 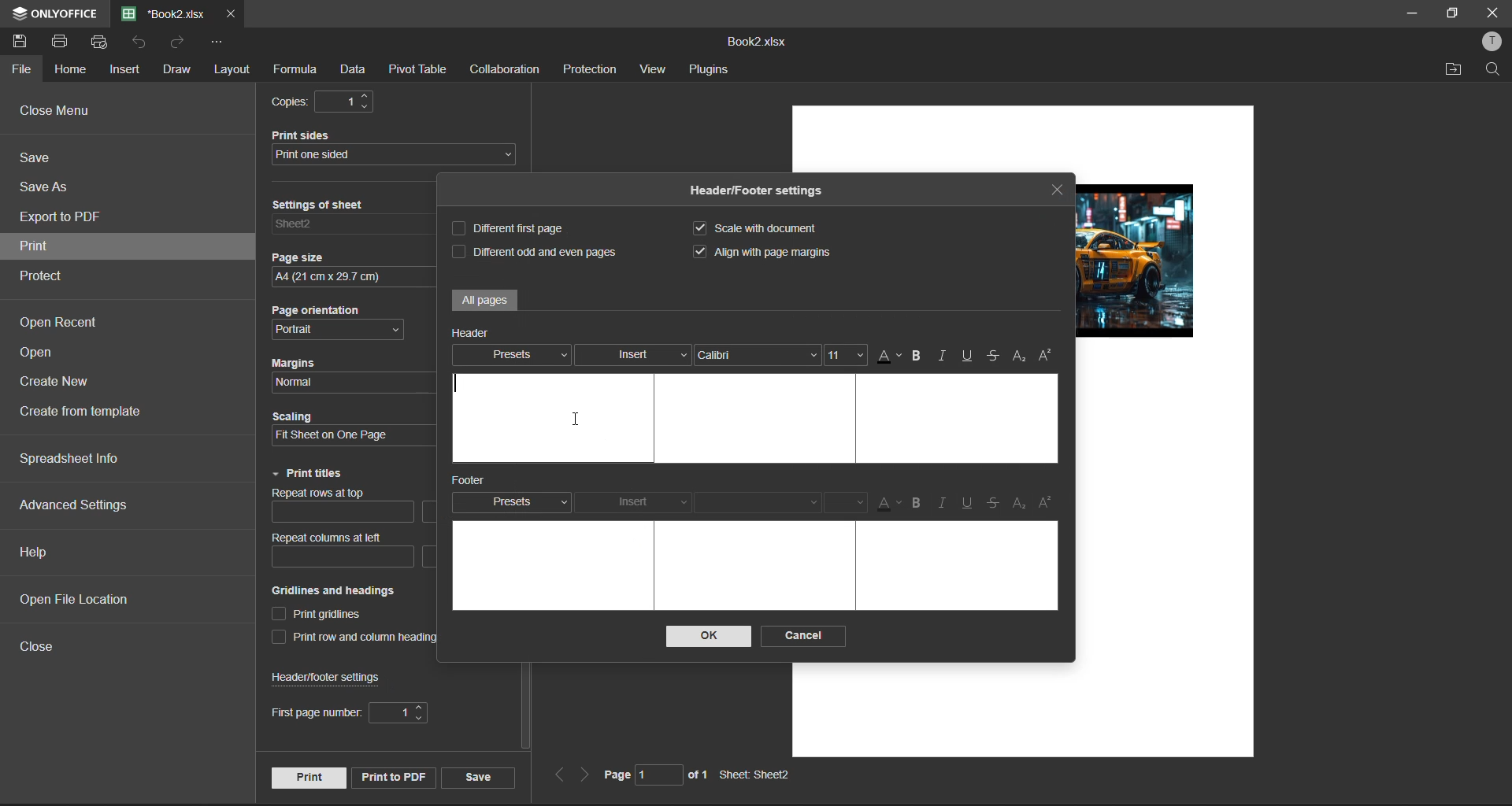 What do you see at coordinates (344, 322) in the screenshot?
I see `page orientation` at bounding box center [344, 322].